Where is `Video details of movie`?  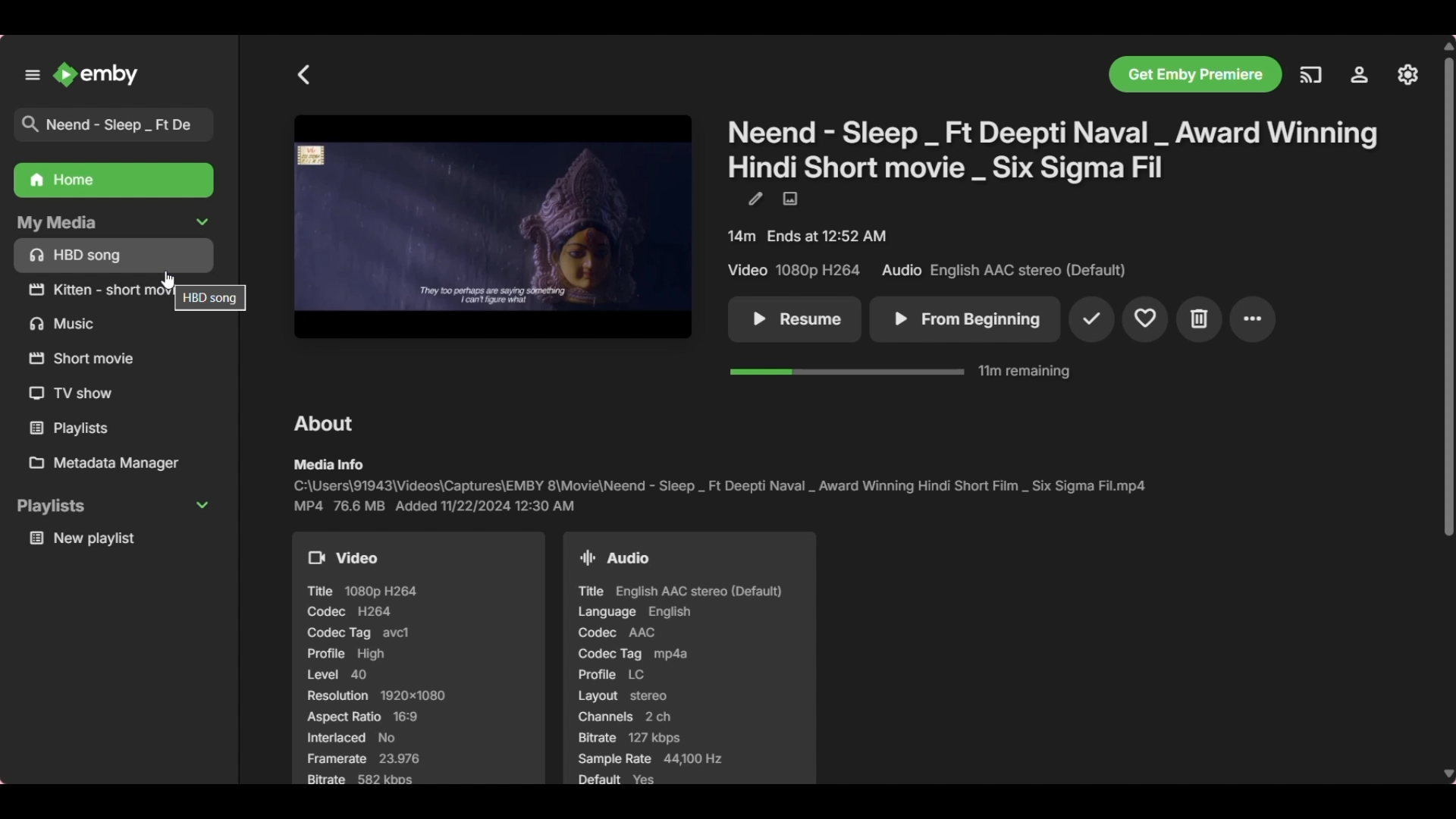 Video details of movie is located at coordinates (419, 657).